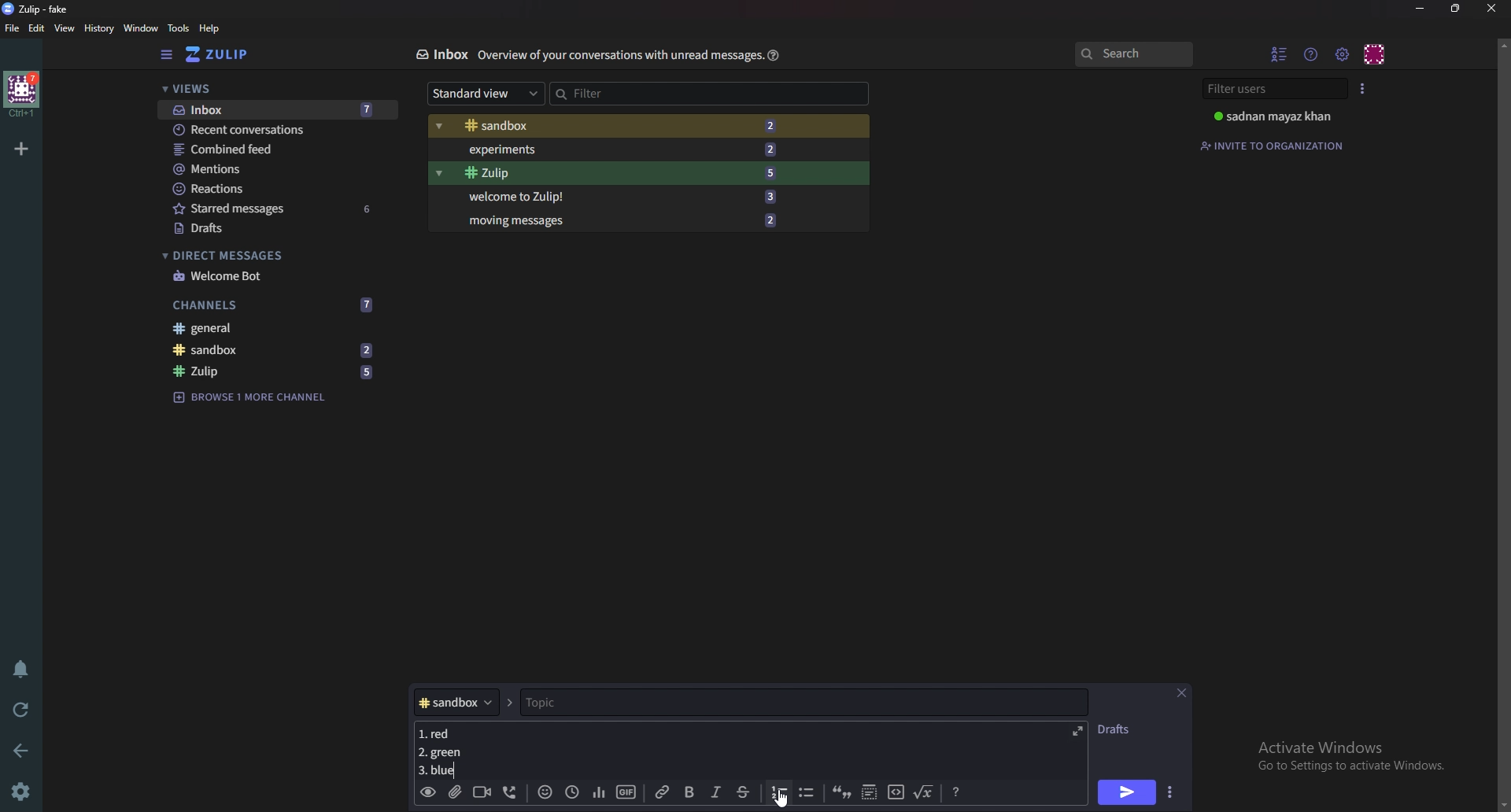 This screenshot has width=1511, height=812. Describe the element at coordinates (98, 28) in the screenshot. I see `History` at that location.